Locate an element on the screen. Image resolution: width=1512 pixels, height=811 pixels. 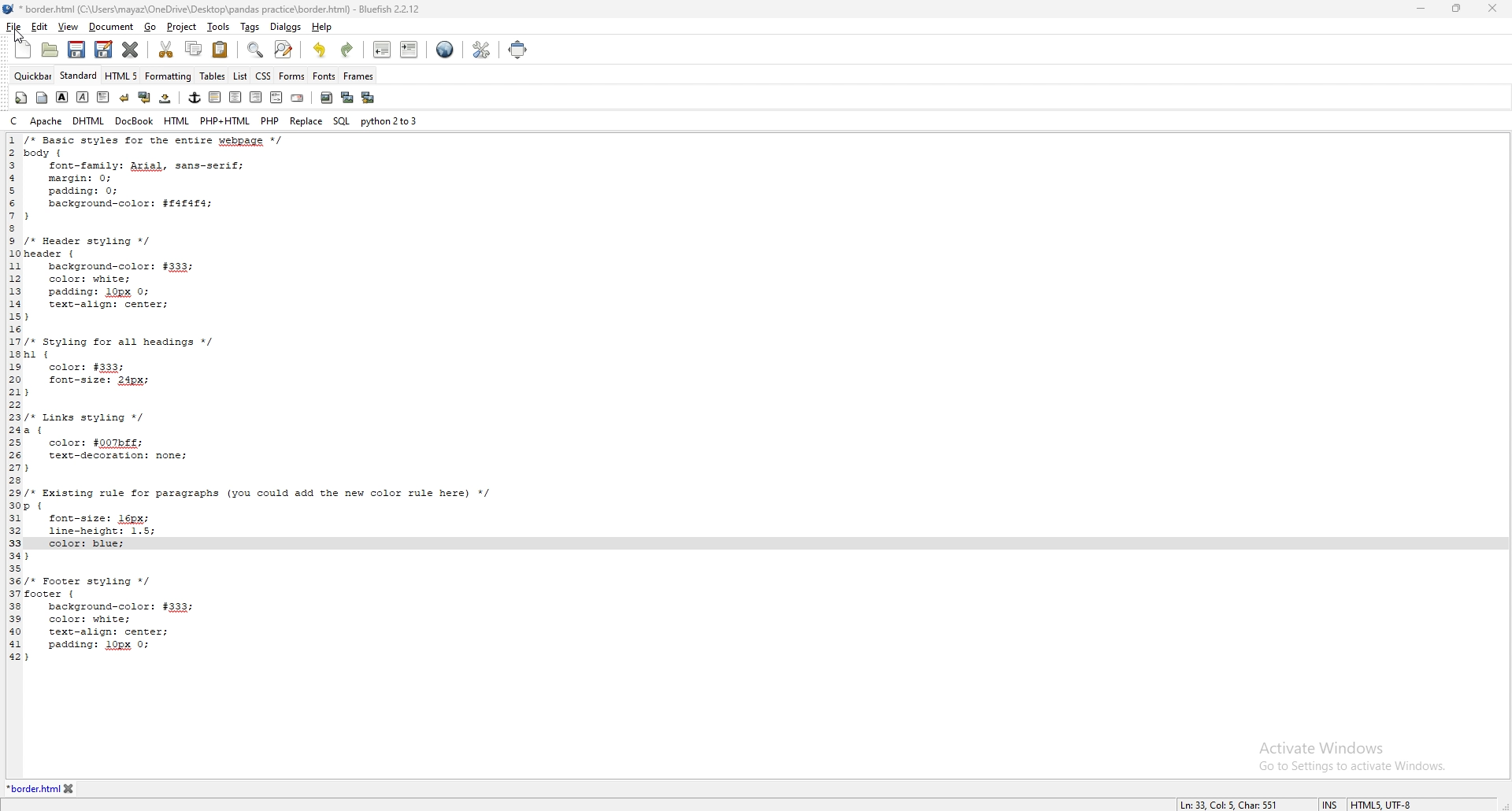
list is located at coordinates (240, 76).